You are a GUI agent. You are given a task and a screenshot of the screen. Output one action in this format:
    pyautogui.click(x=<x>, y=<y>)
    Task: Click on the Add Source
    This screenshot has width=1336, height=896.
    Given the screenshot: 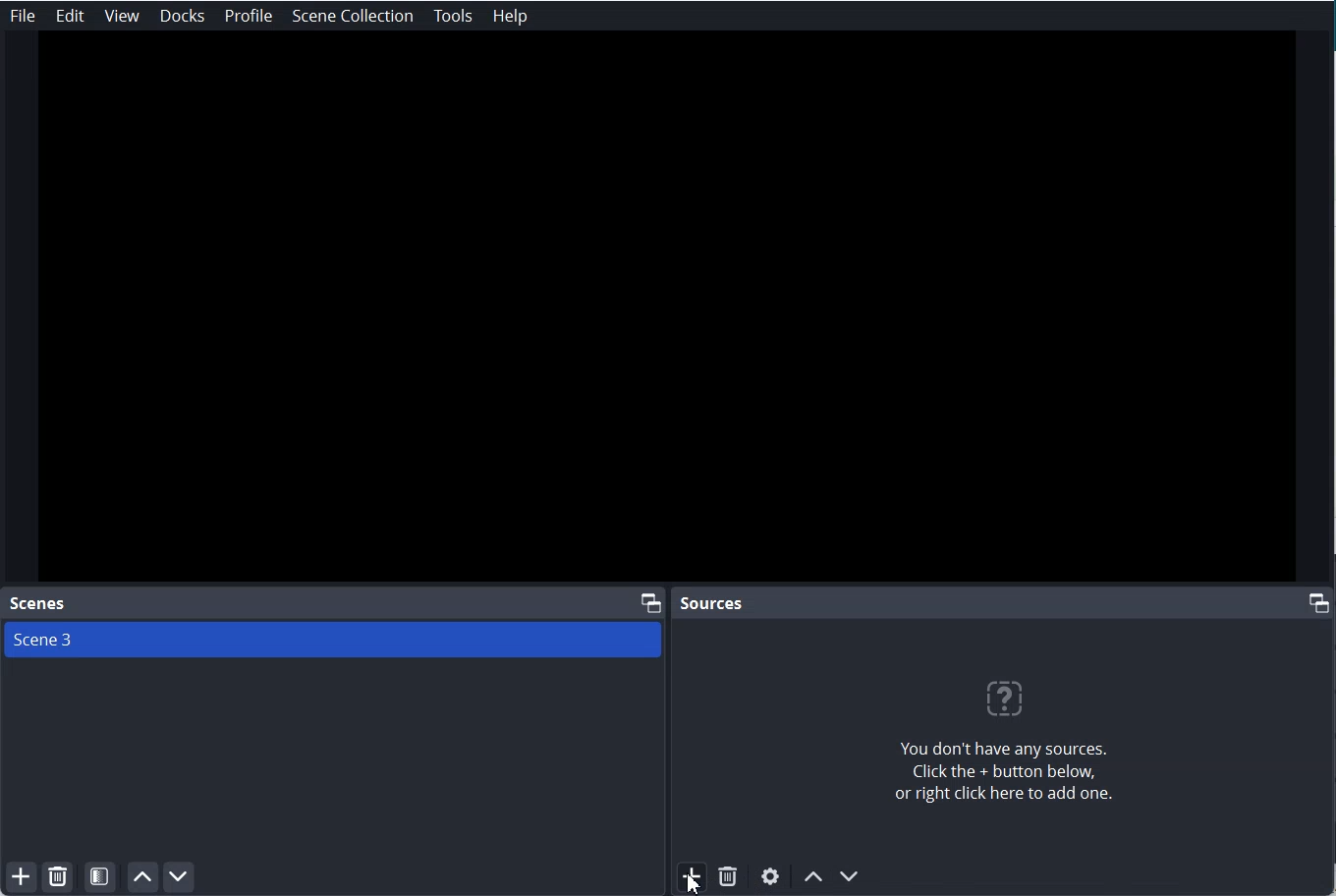 What is the action you would take?
    pyautogui.click(x=694, y=877)
    